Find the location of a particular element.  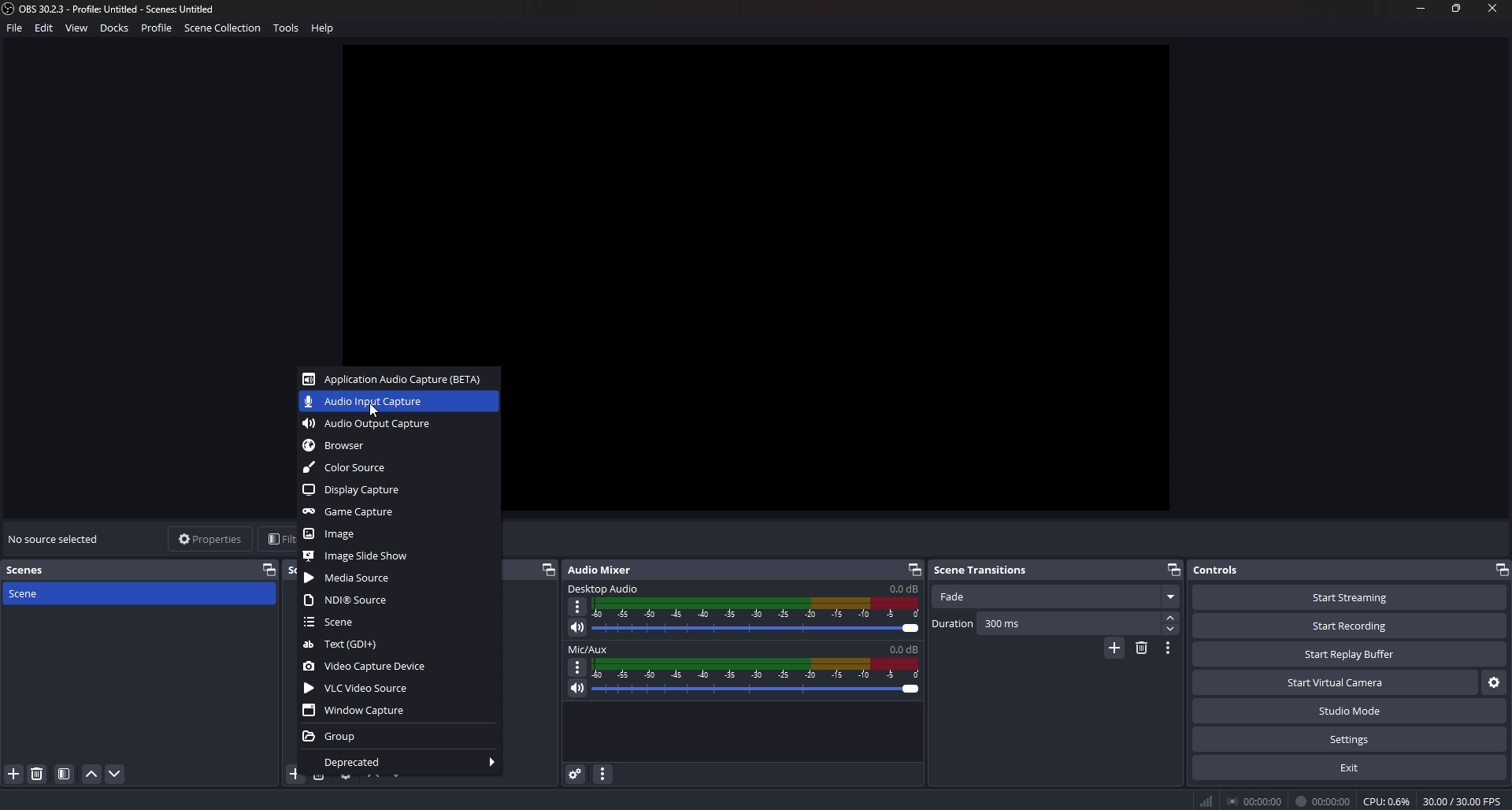

pop out is located at coordinates (913, 569).